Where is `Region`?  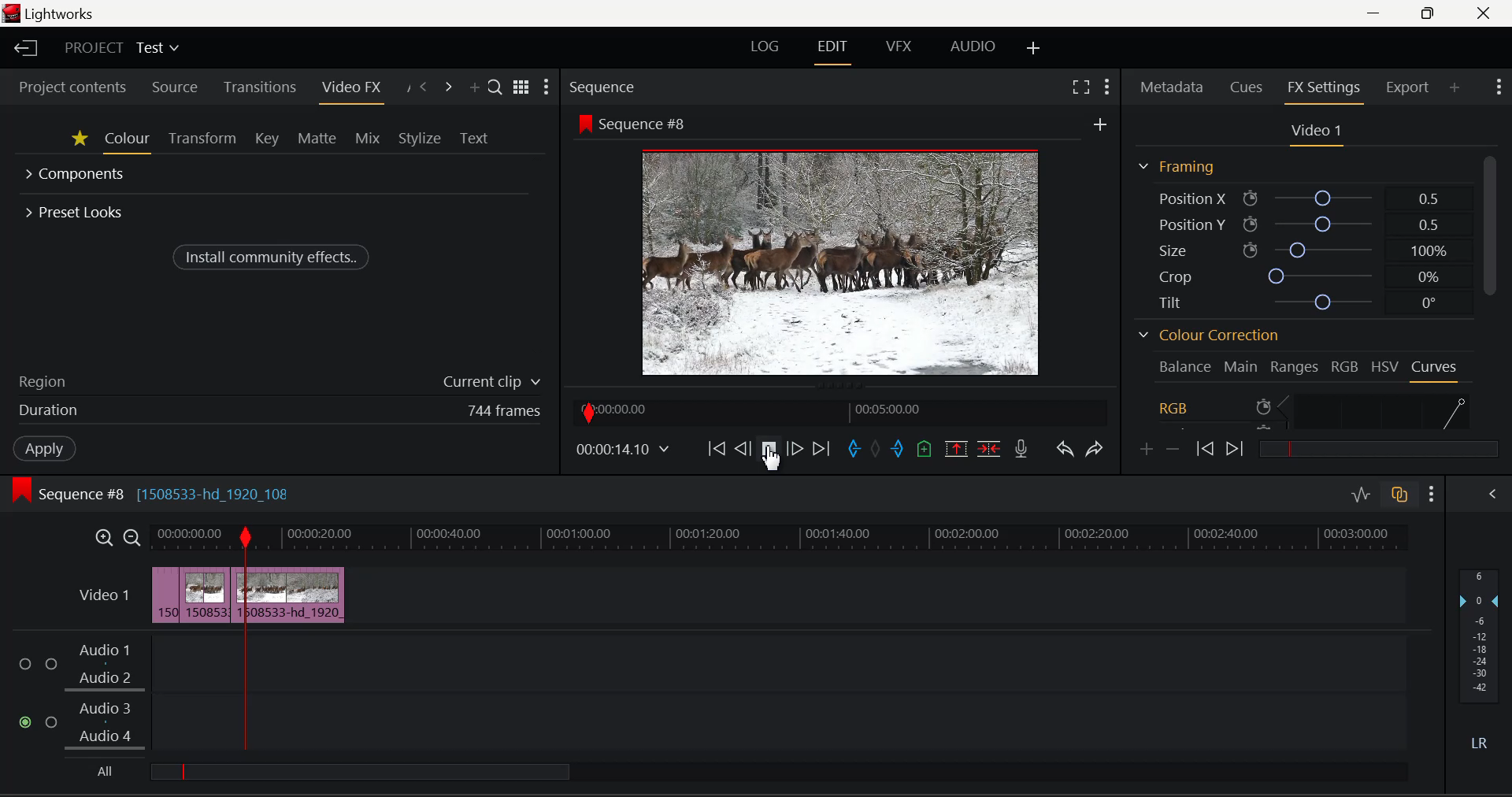 Region is located at coordinates (278, 380).